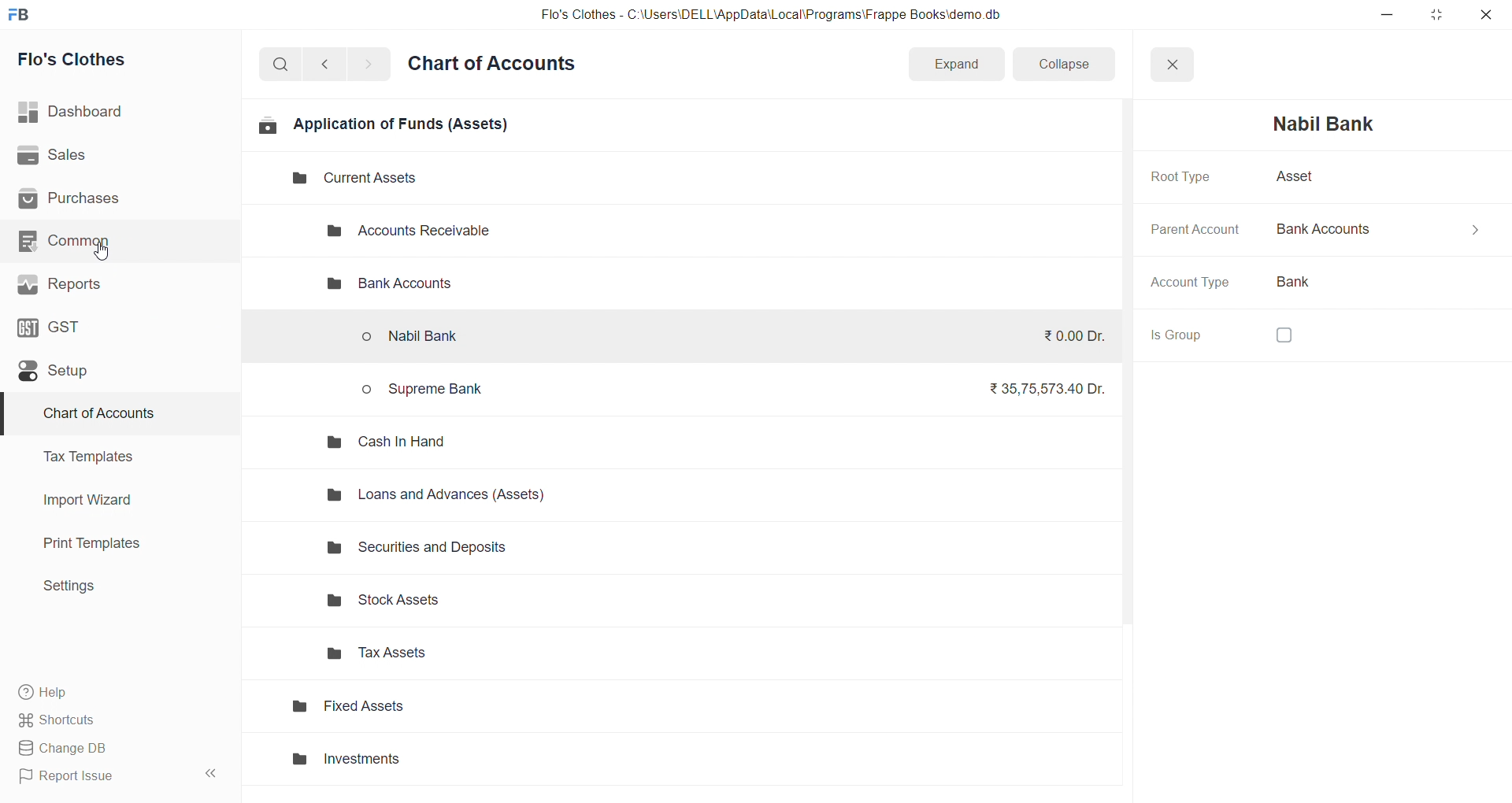  What do you see at coordinates (1380, 229) in the screenshot?
I see `Bank Accounts` at bounding box center [1380, 229].